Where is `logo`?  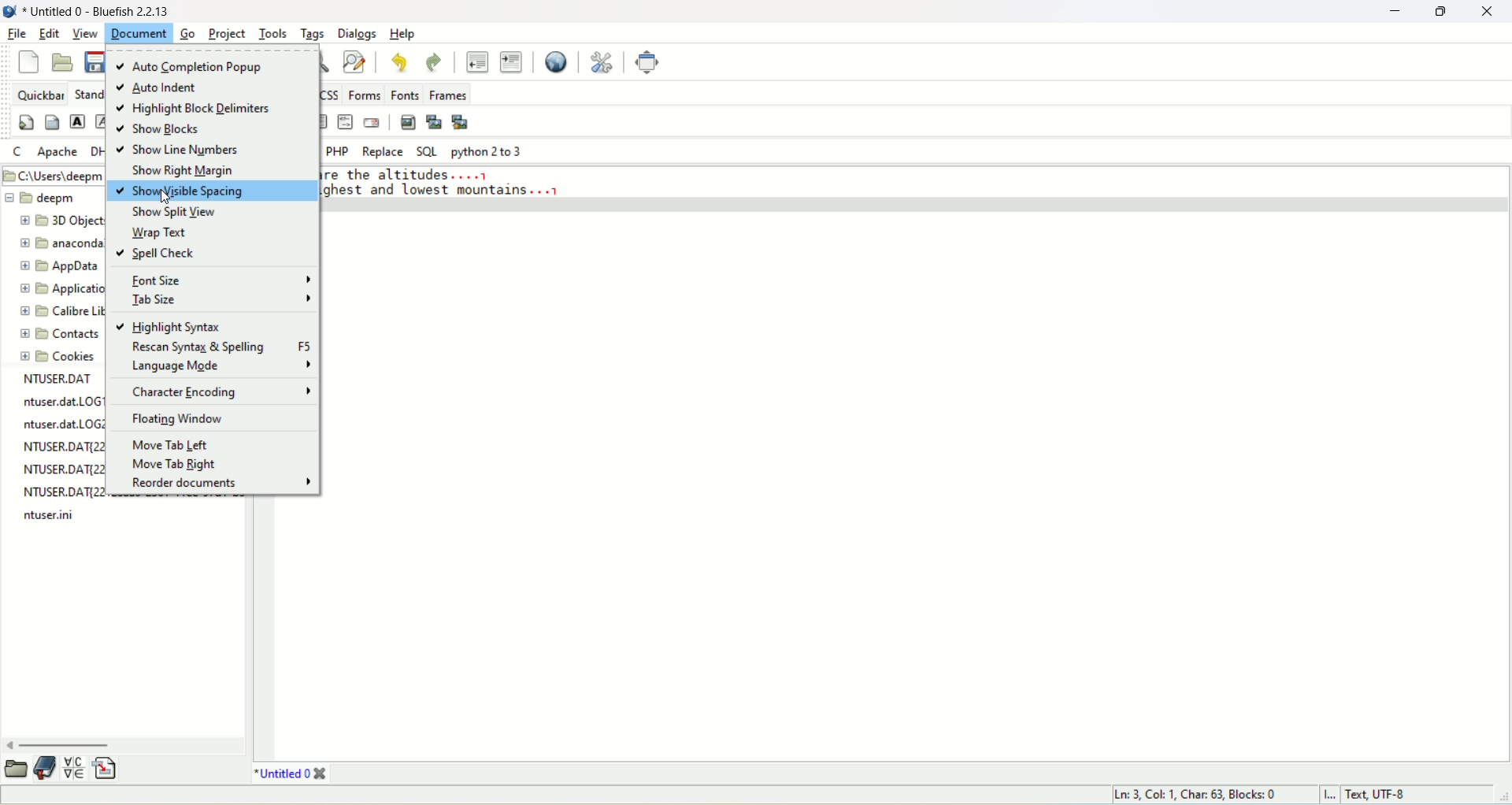 logo is located at coordinates (9, 10).